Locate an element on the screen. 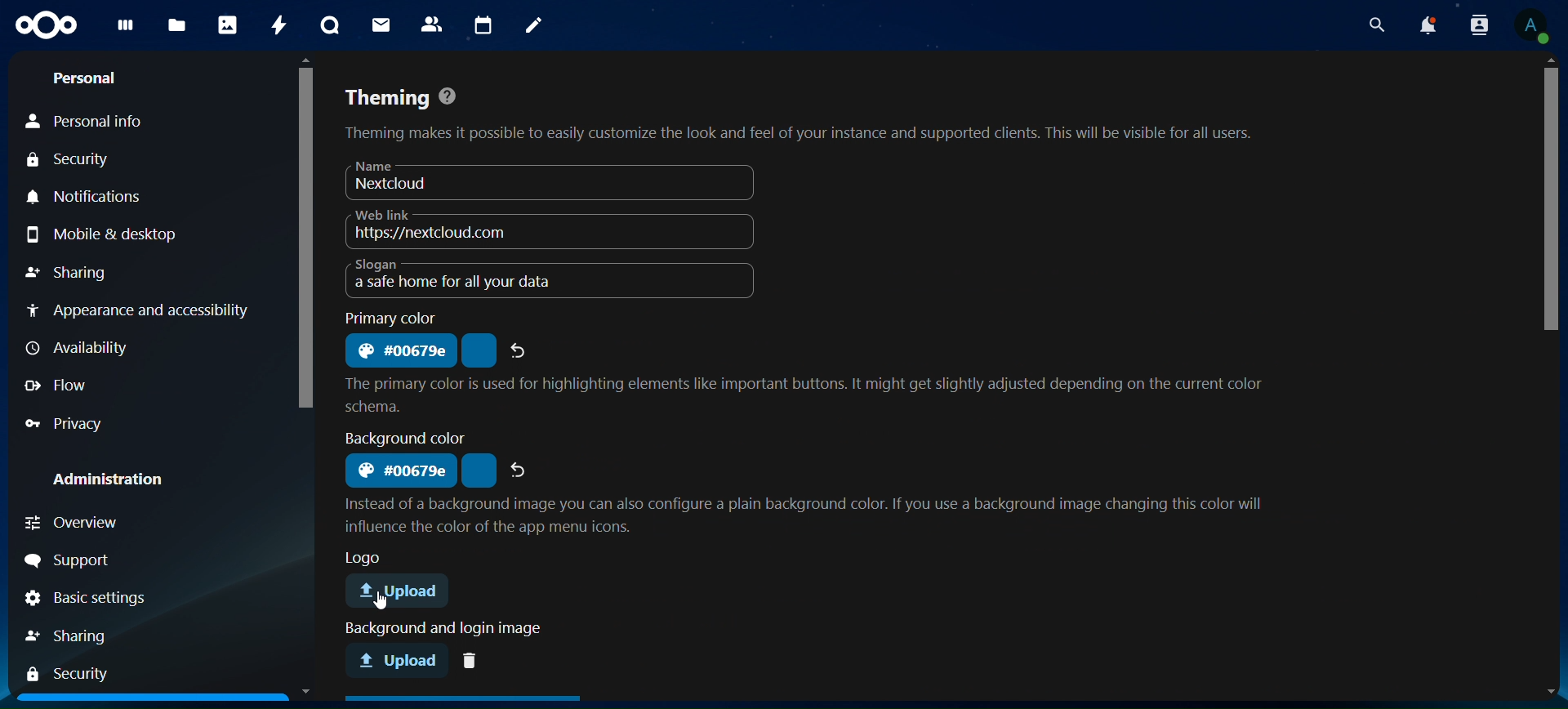 Image resolution: width=1568 pixels, height=709 pixels. nextcloud is located at coordinates (515, 181).